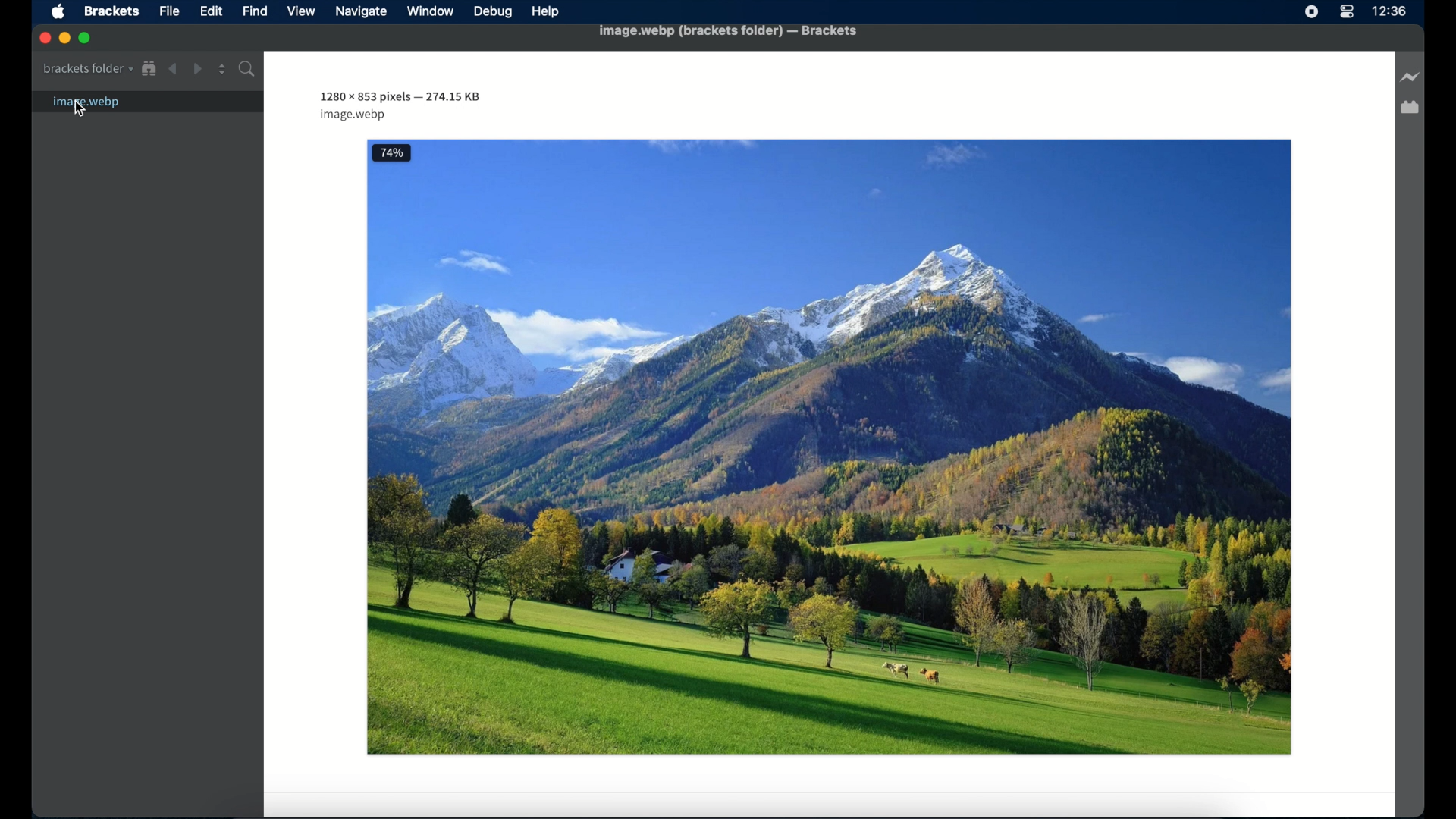  I want to click on apple icon, so click(58, 13).